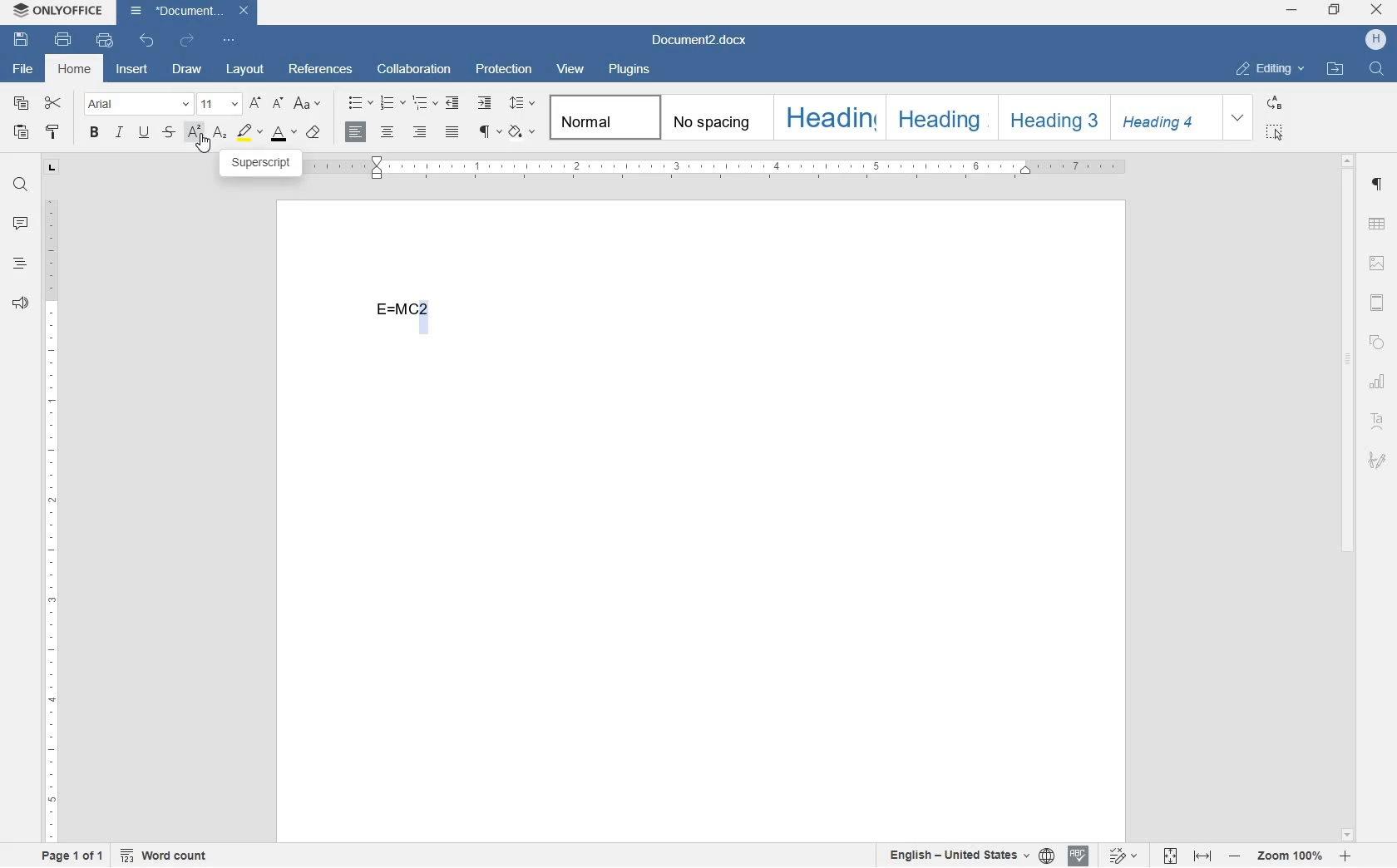  Describe the element at coordinates (1051, 116) in the screenshot. I see `Heading 3` at that location.